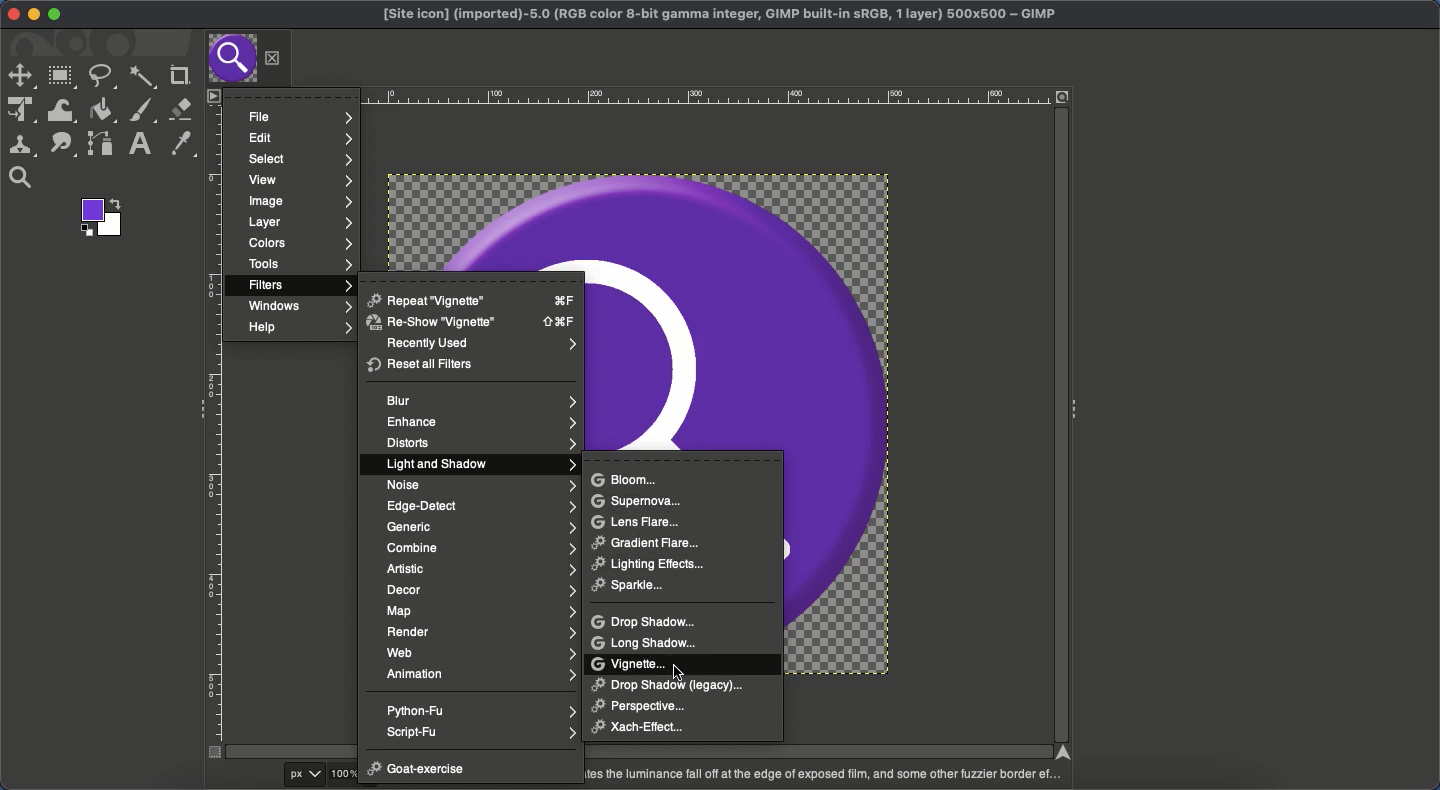  What do you see at coordinates (140, 111) in the screenshot?
I see `Paint` at bounding box center [140, 111].